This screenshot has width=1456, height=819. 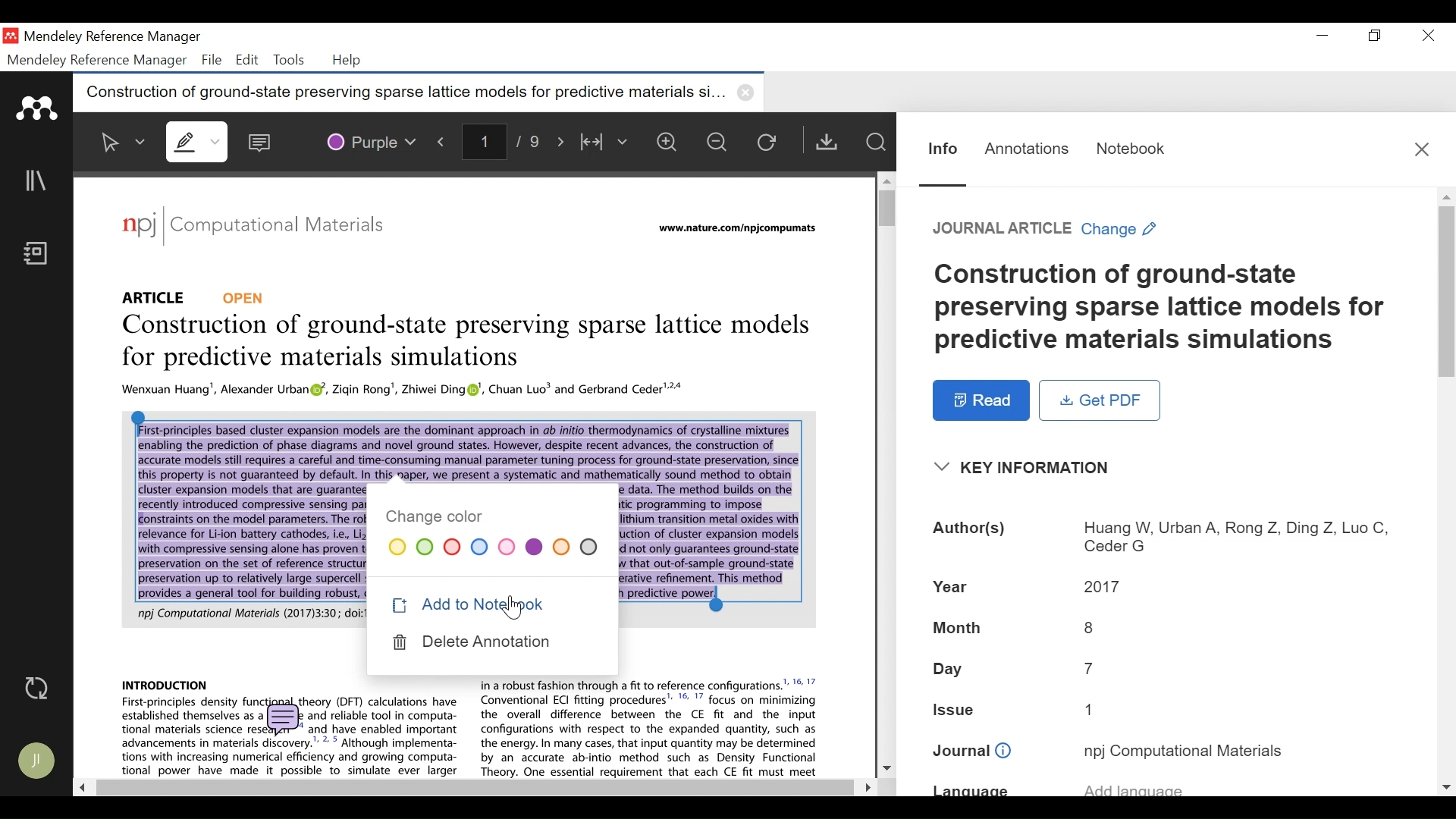 I want to click on Issue, so click(x=1095, y=708).